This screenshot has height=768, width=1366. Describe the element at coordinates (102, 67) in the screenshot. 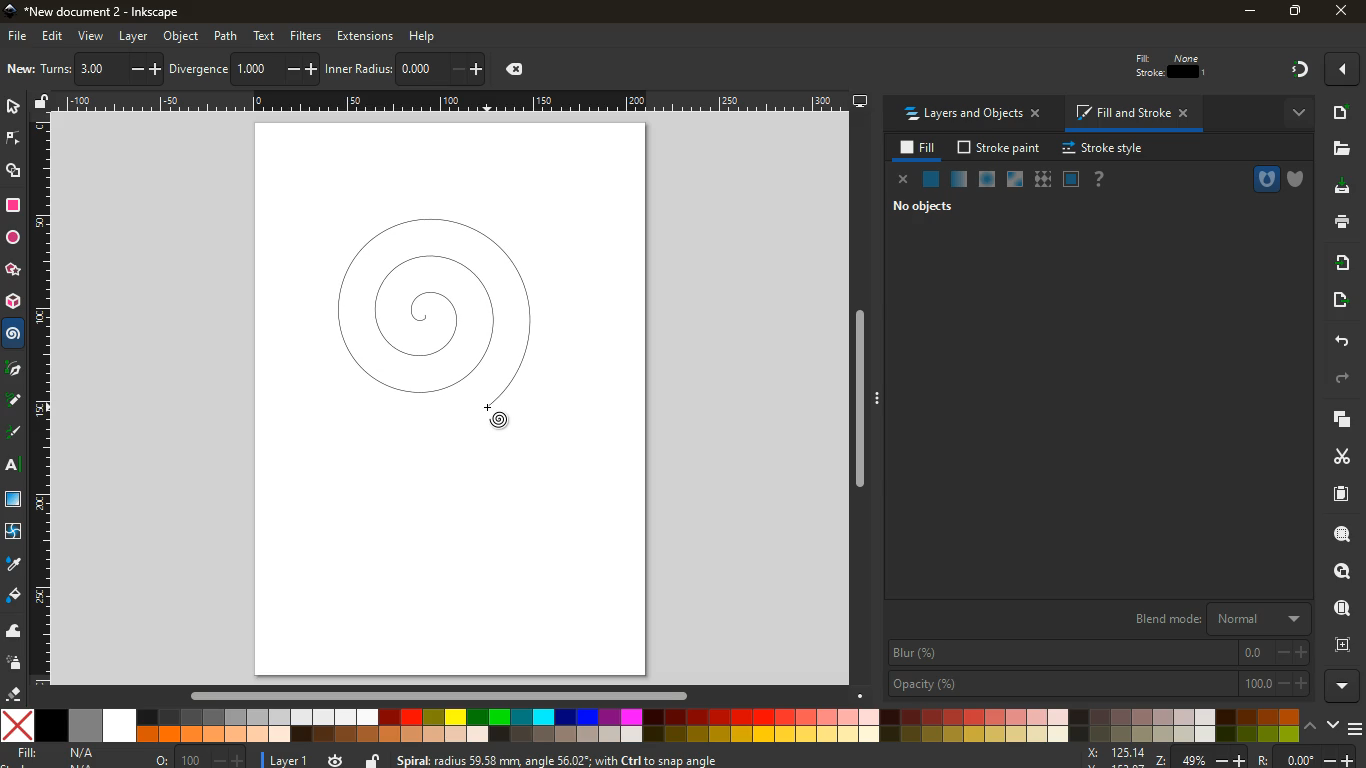

I see `photo` at that location.